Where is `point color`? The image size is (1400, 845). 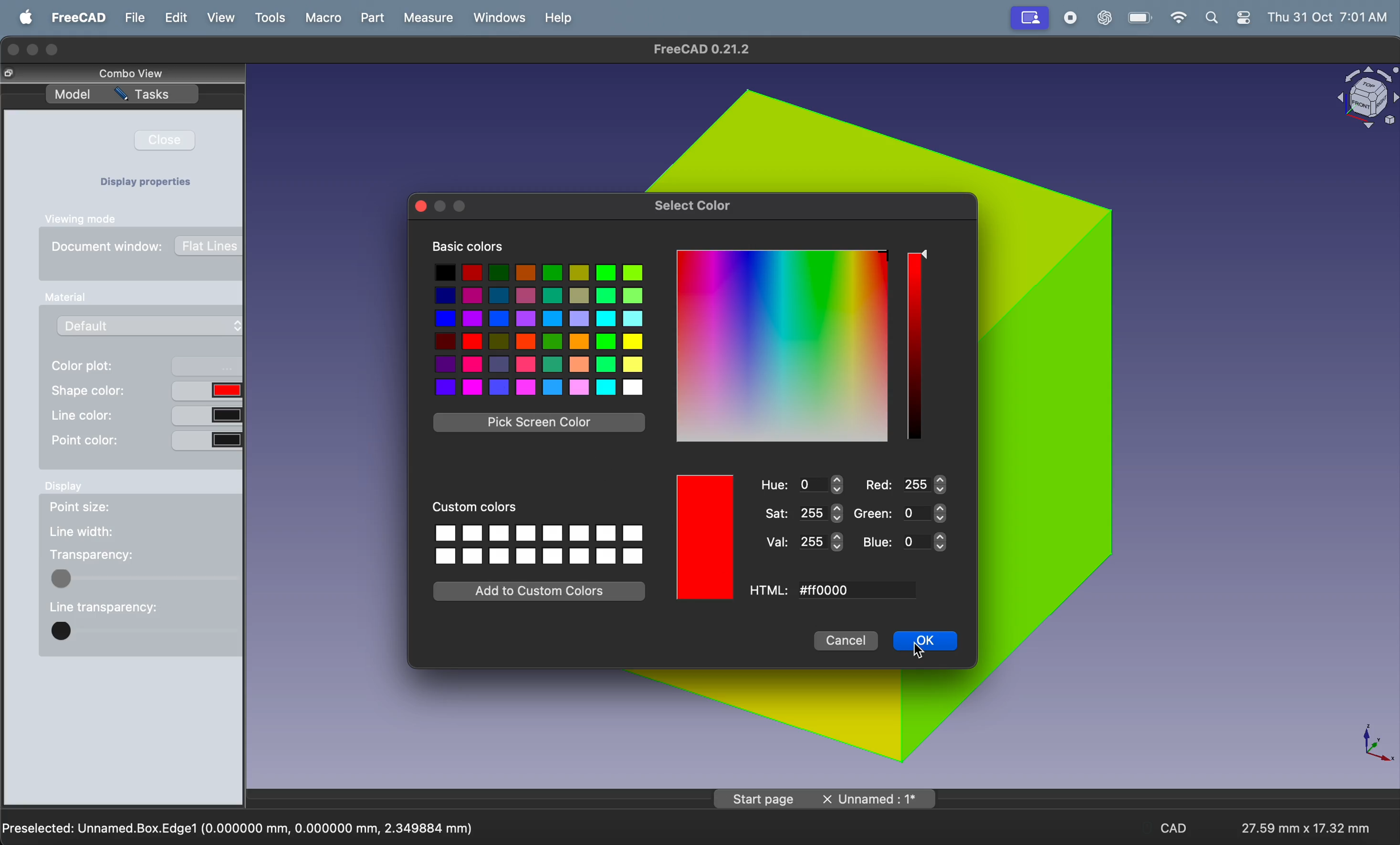
point color is located at coordinates (145, 440).